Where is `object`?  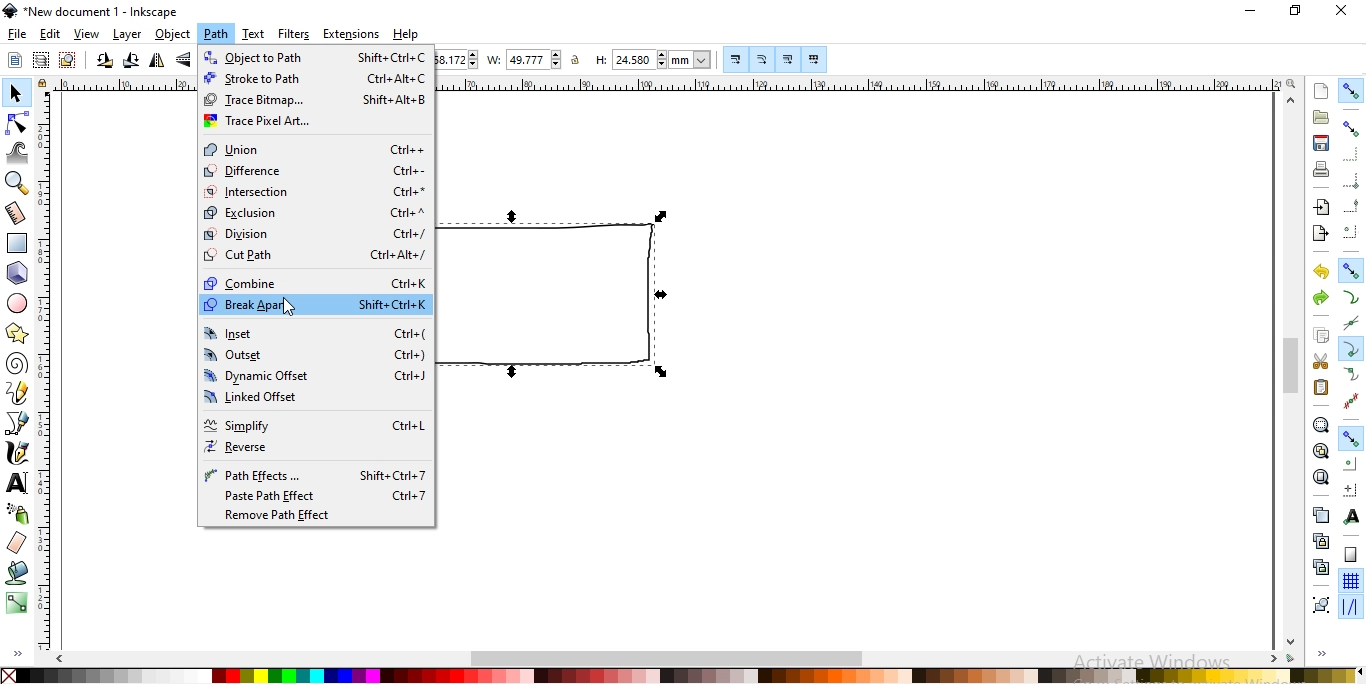
object is located at coordinates (172, 34).